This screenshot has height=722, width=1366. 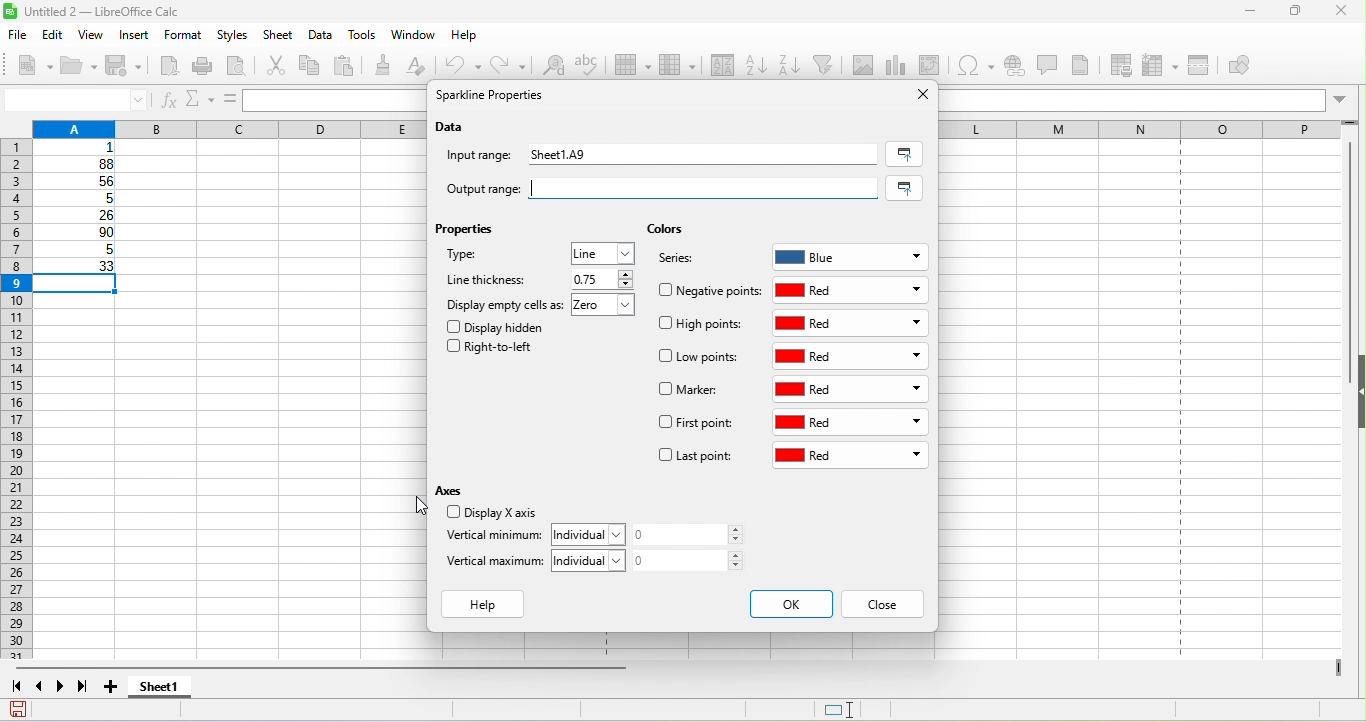 What do you see at coordinates (280, 36) in the screenshot?
I see `sheet` at bounding box center [280, 36].